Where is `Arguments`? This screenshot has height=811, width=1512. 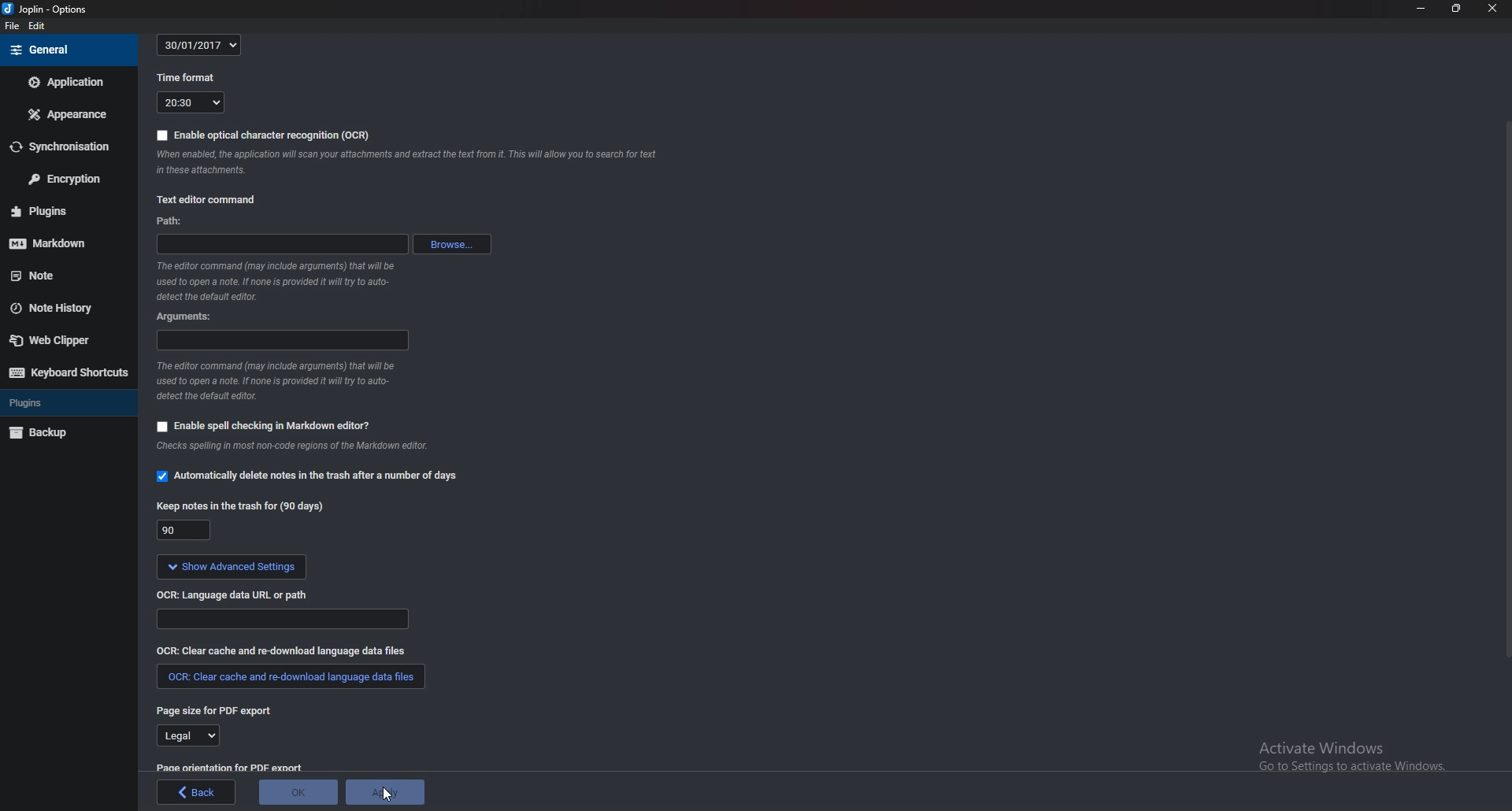 Arguments is located at coordinates (186, 317).